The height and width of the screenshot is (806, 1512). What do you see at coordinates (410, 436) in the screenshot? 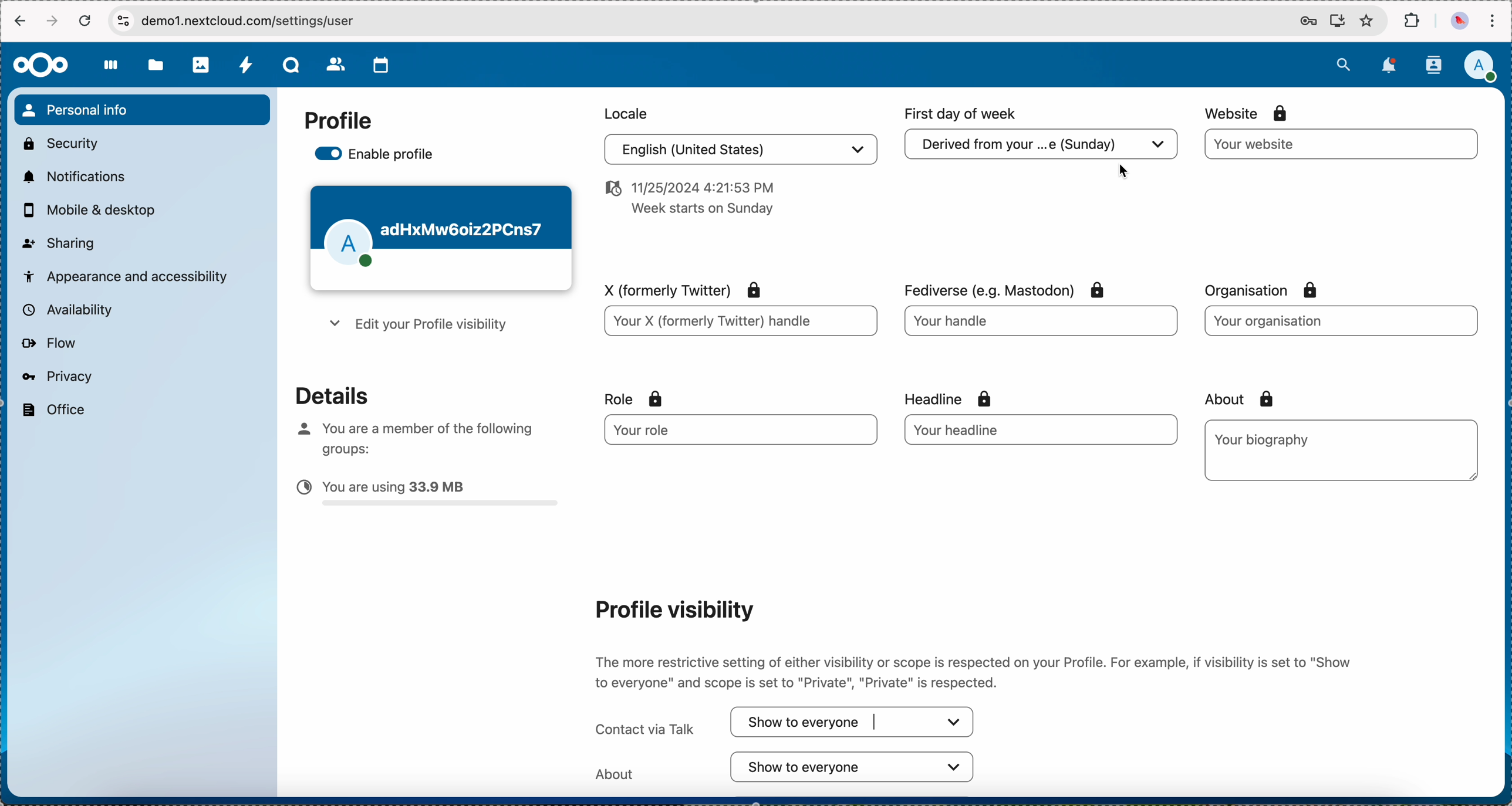
I see `you are member of the following groups` at bounding box center [410, 436].